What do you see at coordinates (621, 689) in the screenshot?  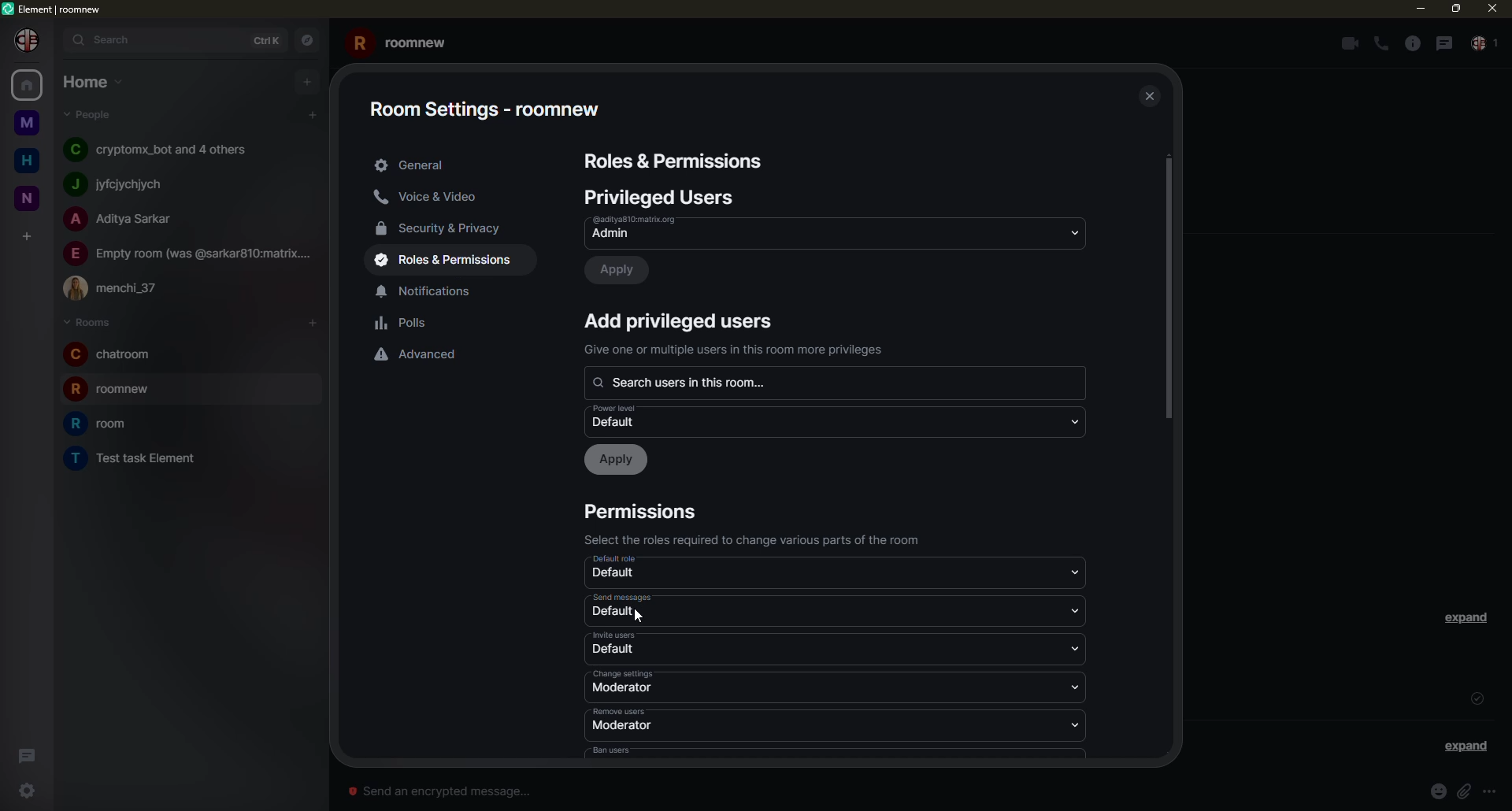 I see `moderator` at bounding box center [621, 689].